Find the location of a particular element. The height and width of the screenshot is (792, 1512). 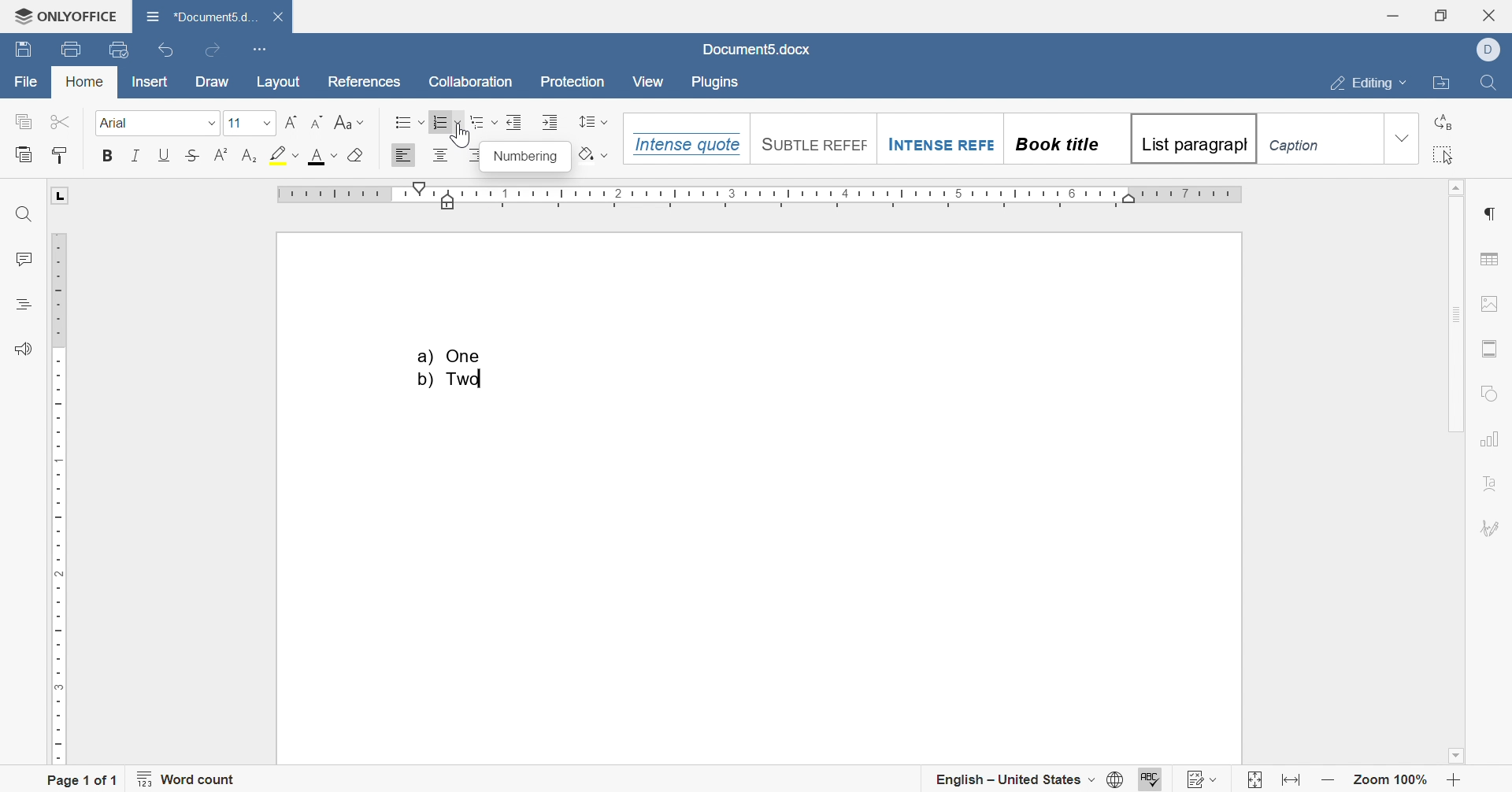

numbering is located at coordinates (525, 157).